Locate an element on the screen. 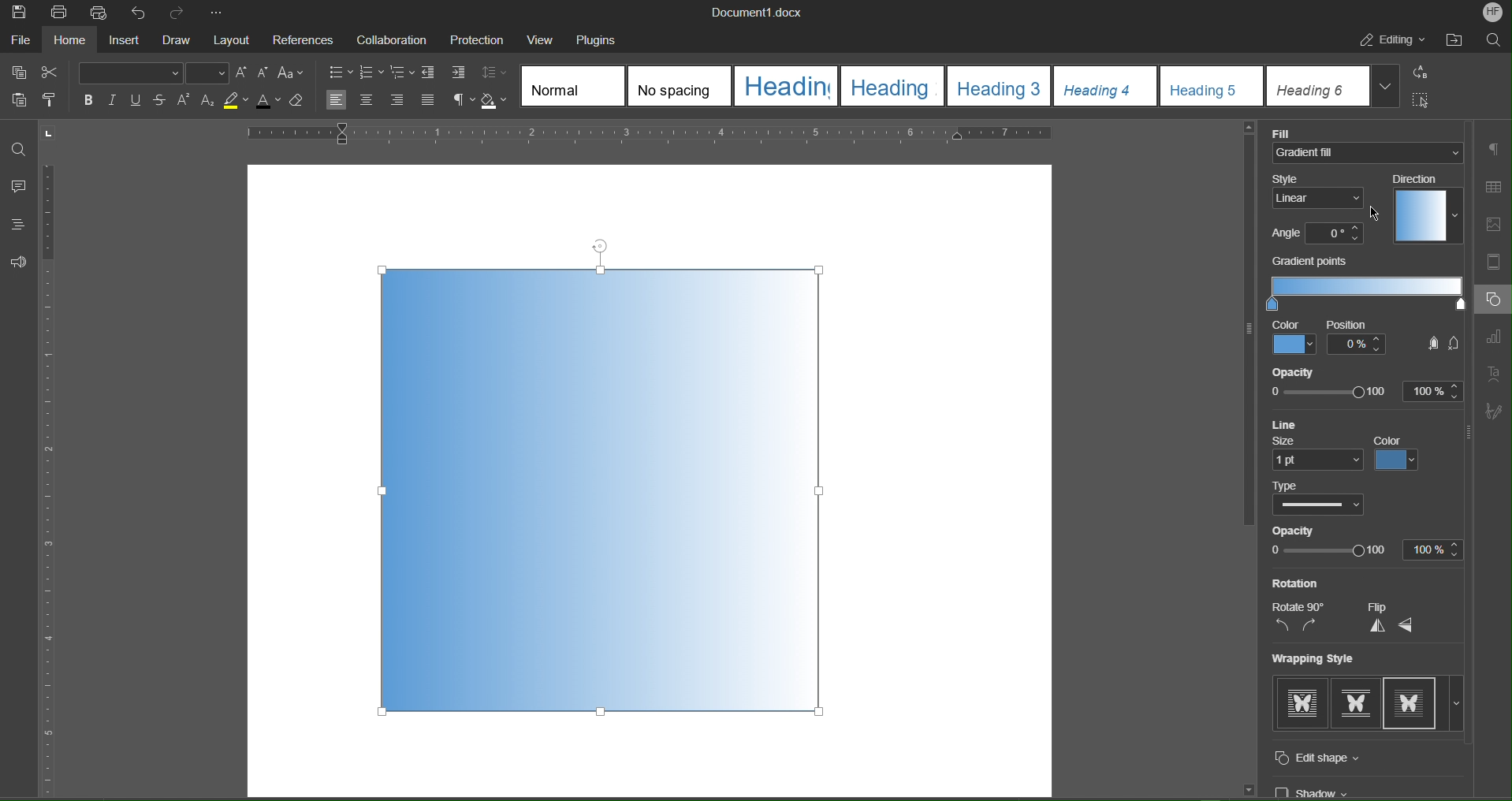 This screenshot has height=801, width=1512. Rotate 90° is located at coordinates (1307, 604).